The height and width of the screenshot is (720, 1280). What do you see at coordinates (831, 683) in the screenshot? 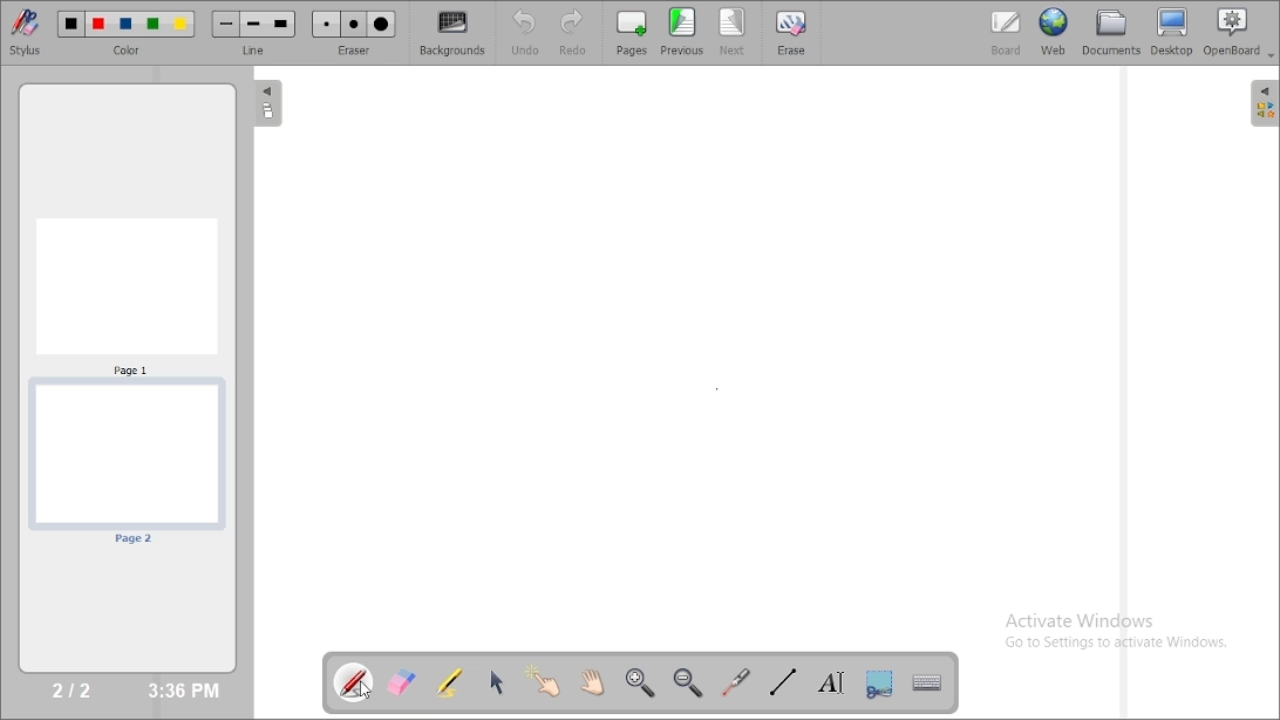
I see `write text` at bounding box center [831, 683].